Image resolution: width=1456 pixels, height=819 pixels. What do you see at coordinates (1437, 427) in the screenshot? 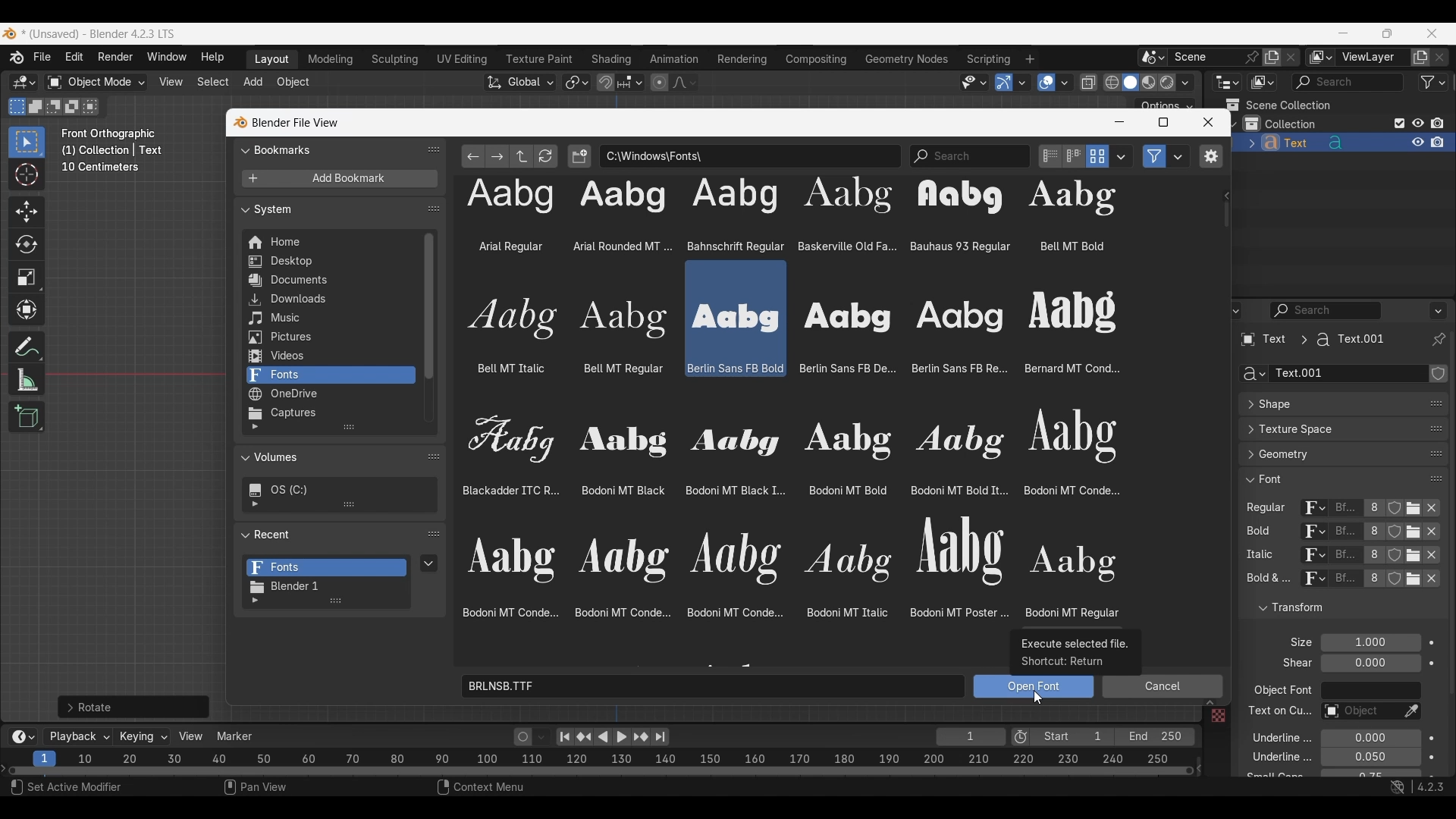
I see `change position` at bounding box center [1437, 427].